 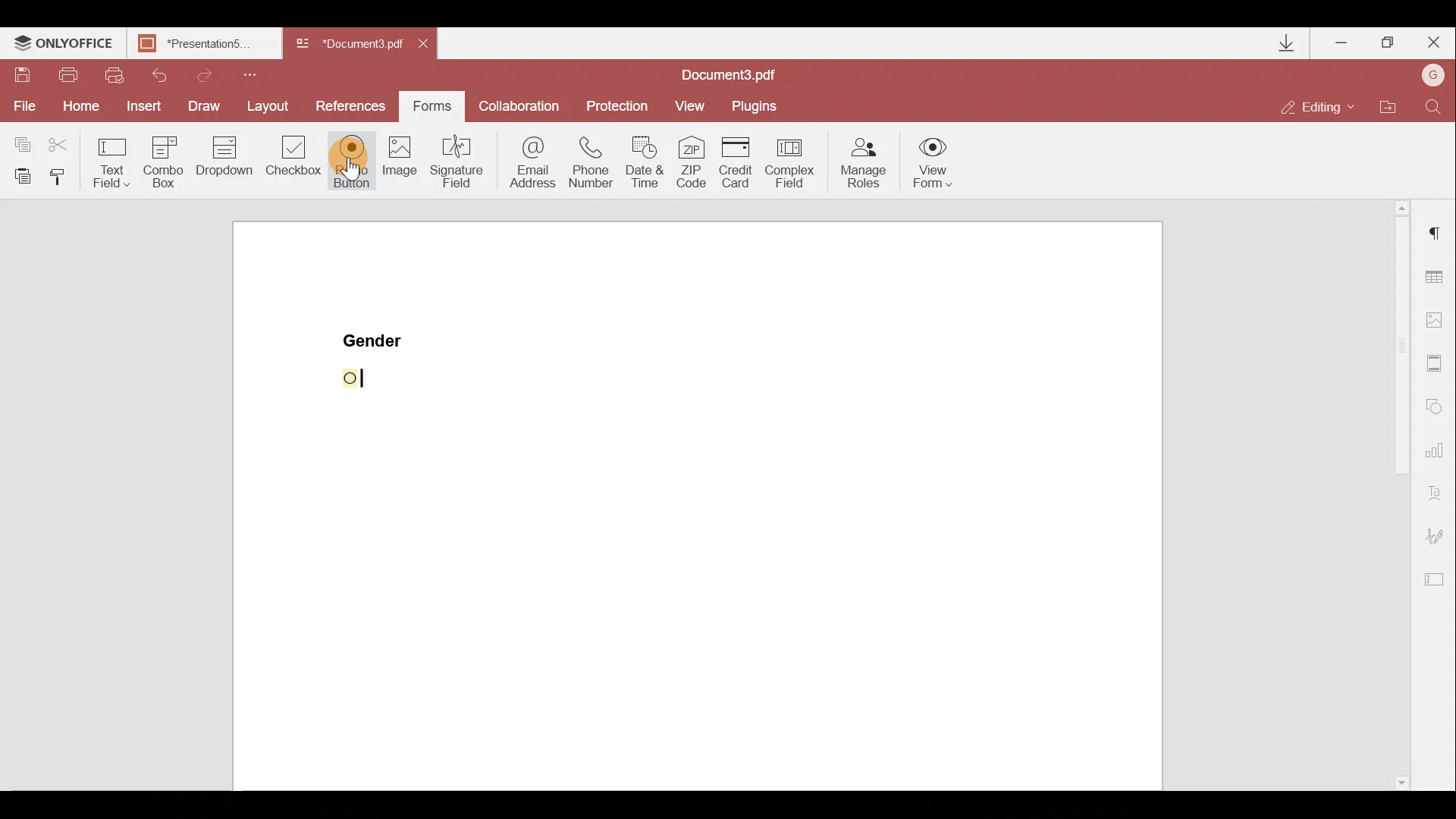 I want to click on View form, so click(x=934, y=162).